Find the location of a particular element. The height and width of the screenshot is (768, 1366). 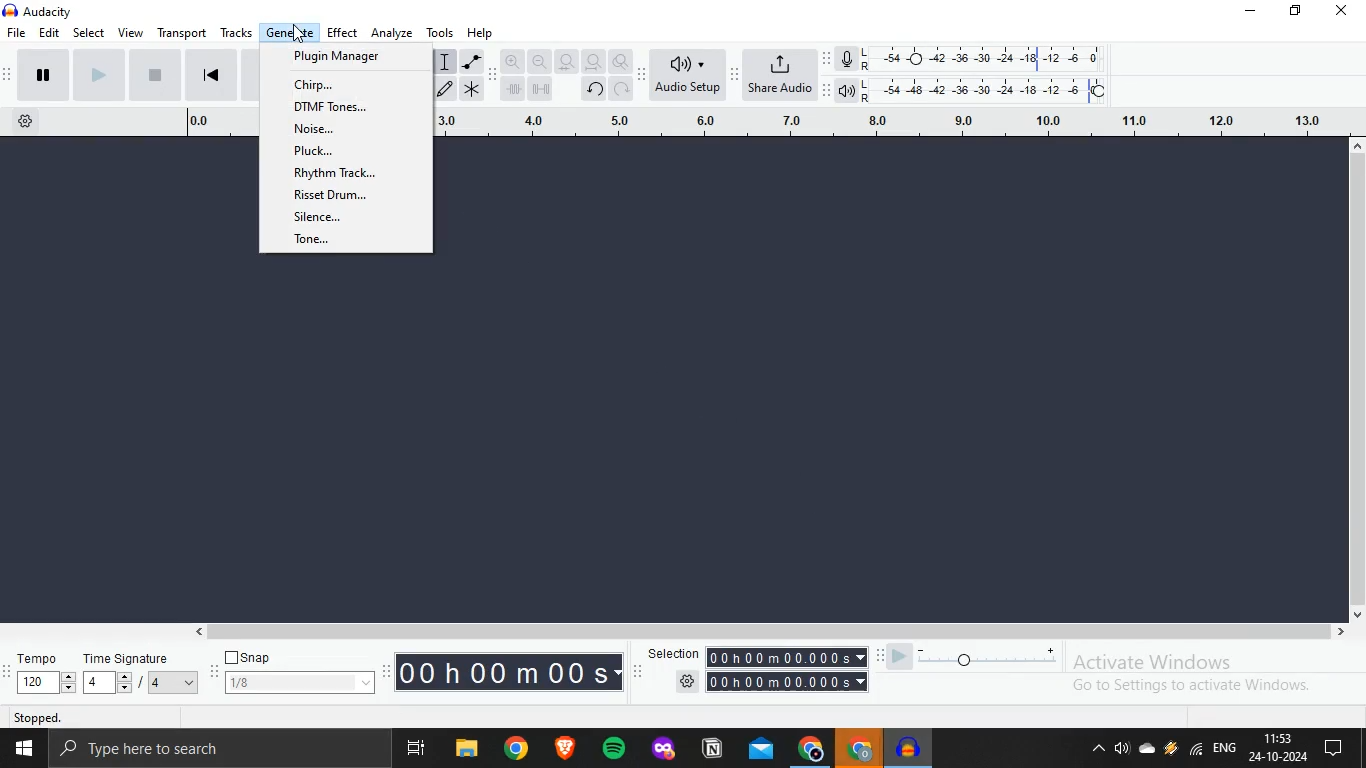

chirp is located at coordinates (344, 82).